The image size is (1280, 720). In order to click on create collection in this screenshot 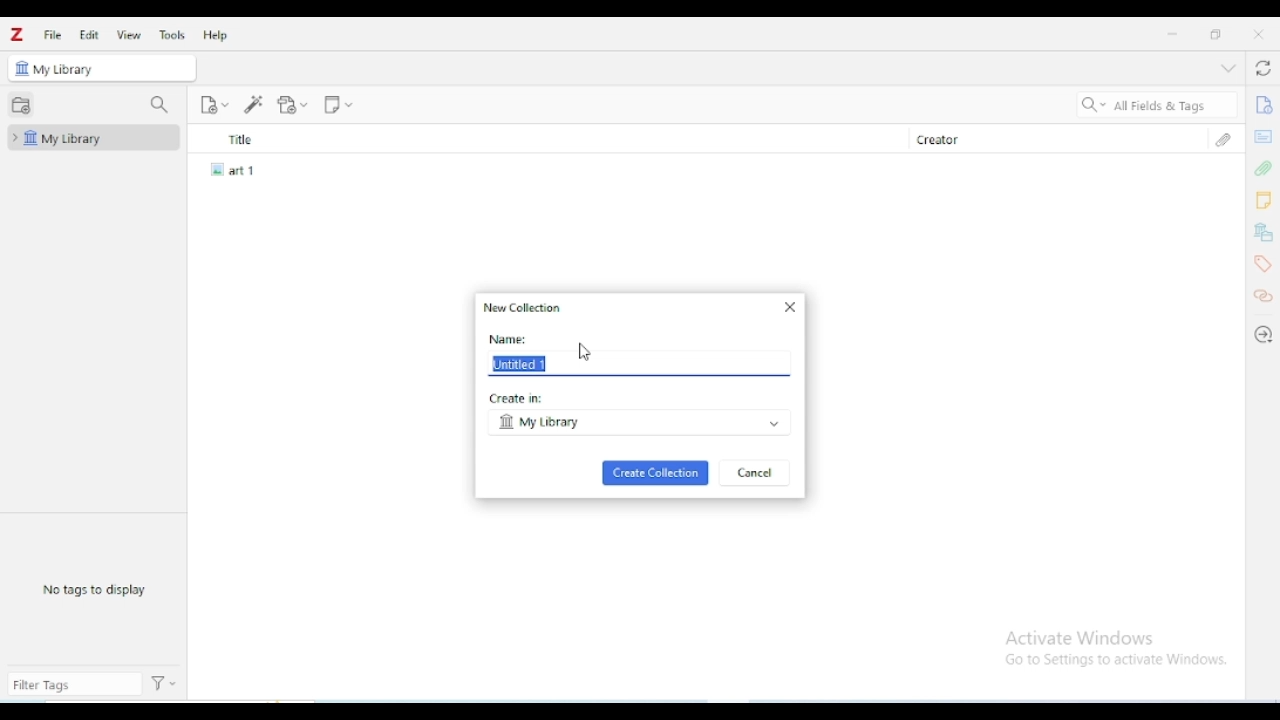, I will do `click(655, 473)`.